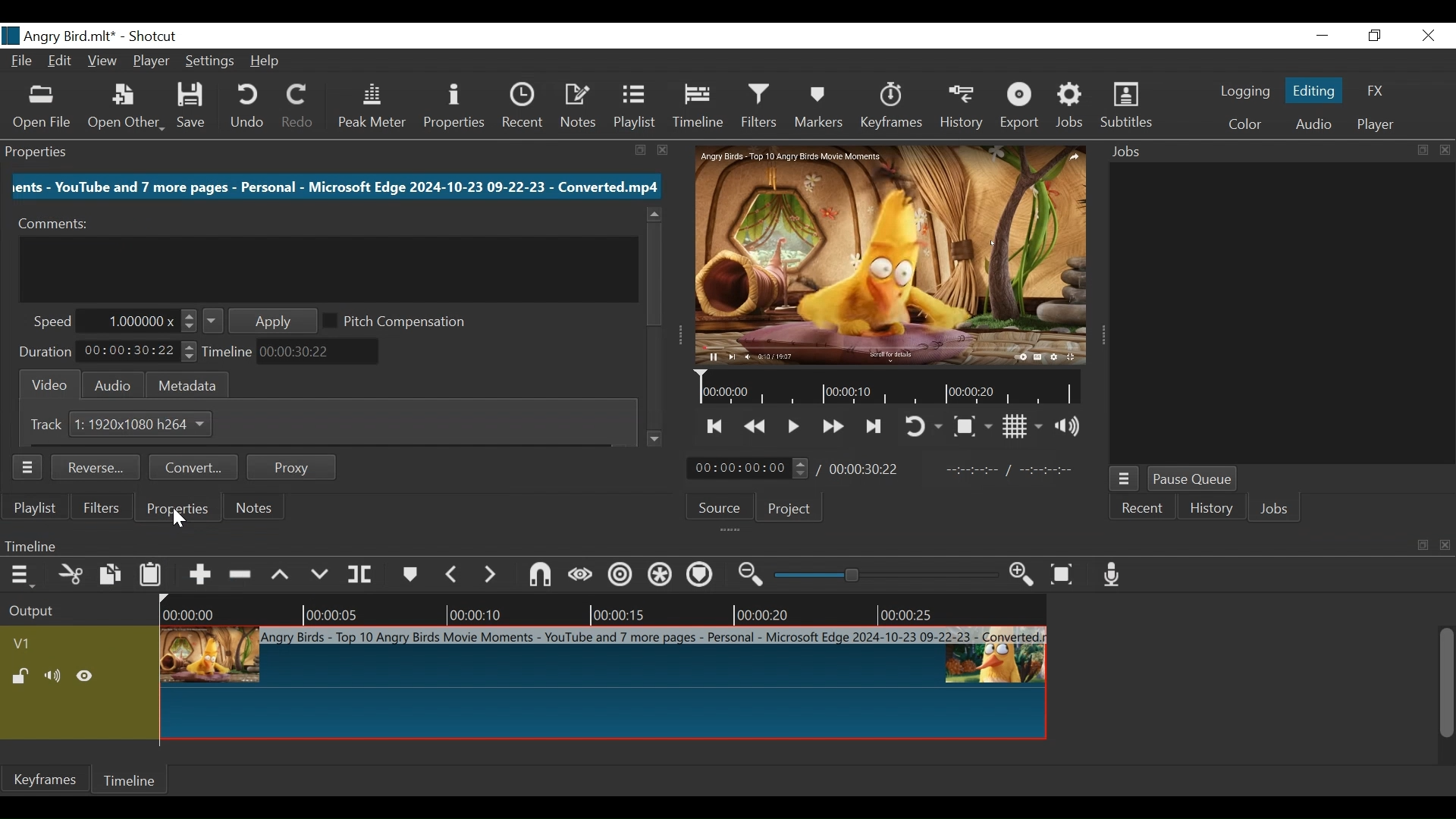 The width and height of the screenshot is (1456, 819). What do you see at coordinates (189, 384) in the screenshot?
I see `Metadata` at bounding box center [189, 384].